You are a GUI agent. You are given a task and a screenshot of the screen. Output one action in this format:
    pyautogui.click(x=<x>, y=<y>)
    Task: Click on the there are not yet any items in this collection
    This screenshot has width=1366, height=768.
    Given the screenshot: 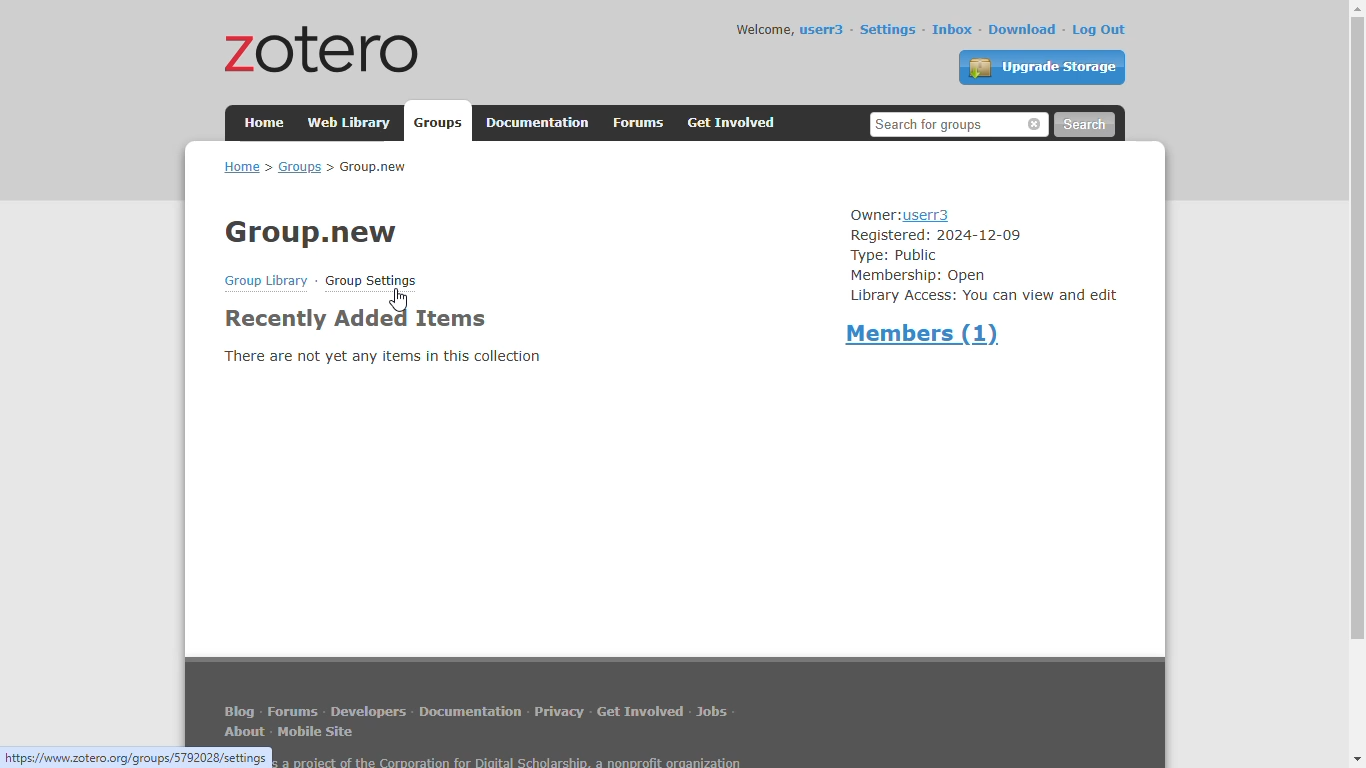 What is the action you would take?
    pyautogui.click(x=382, y=356)
    